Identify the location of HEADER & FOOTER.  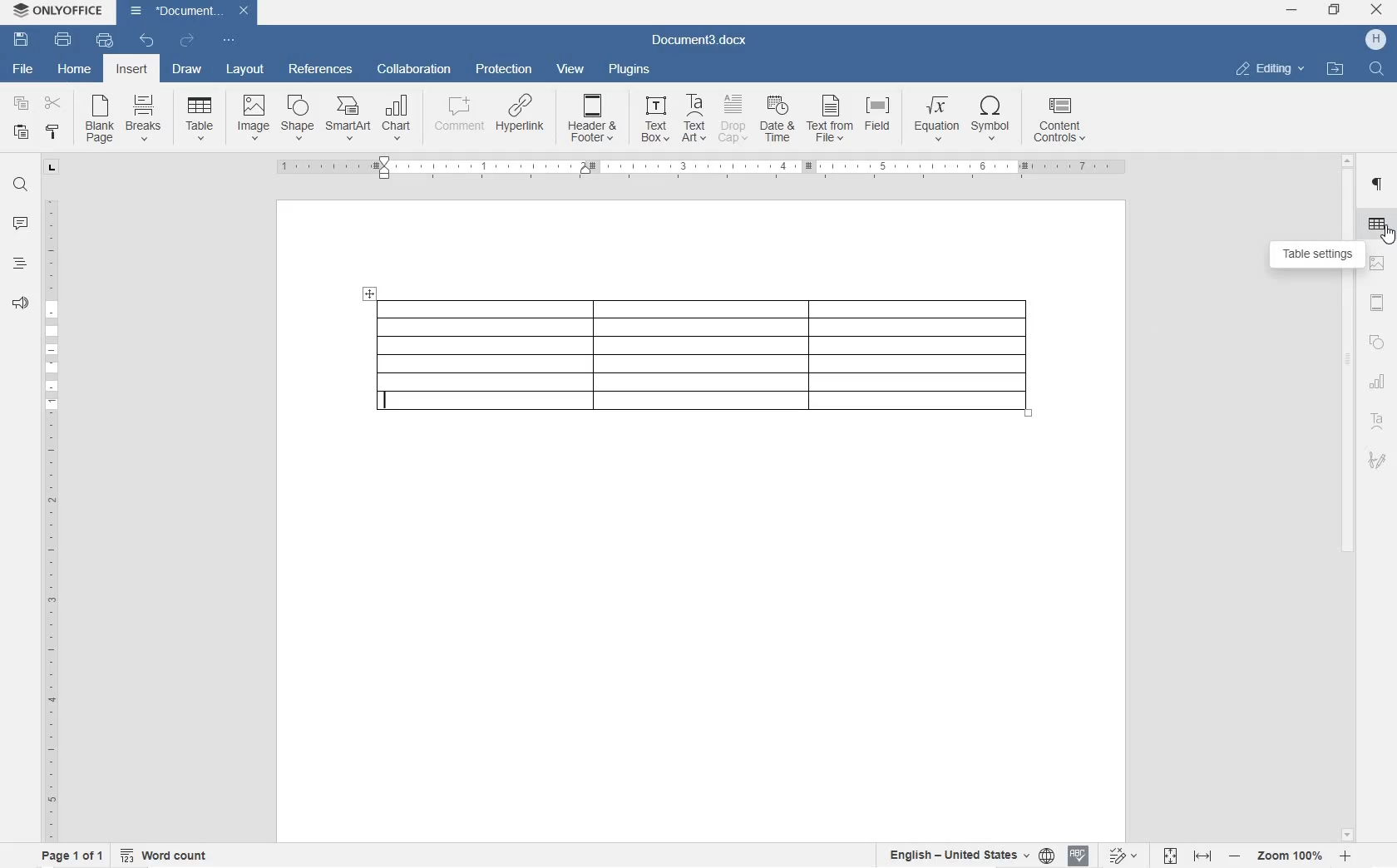
(592, 118).